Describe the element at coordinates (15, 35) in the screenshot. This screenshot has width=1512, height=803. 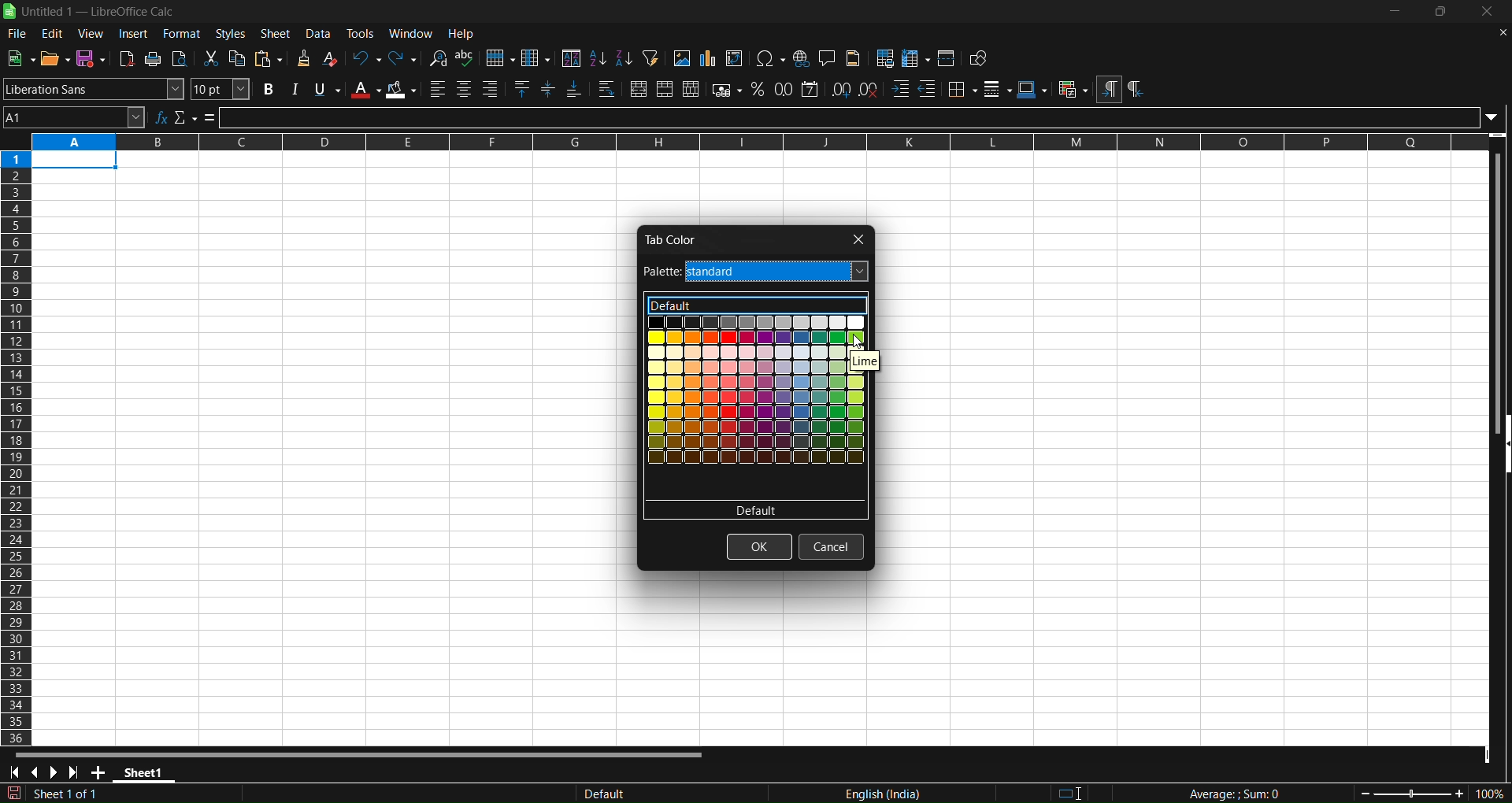
I see `file` at that location.